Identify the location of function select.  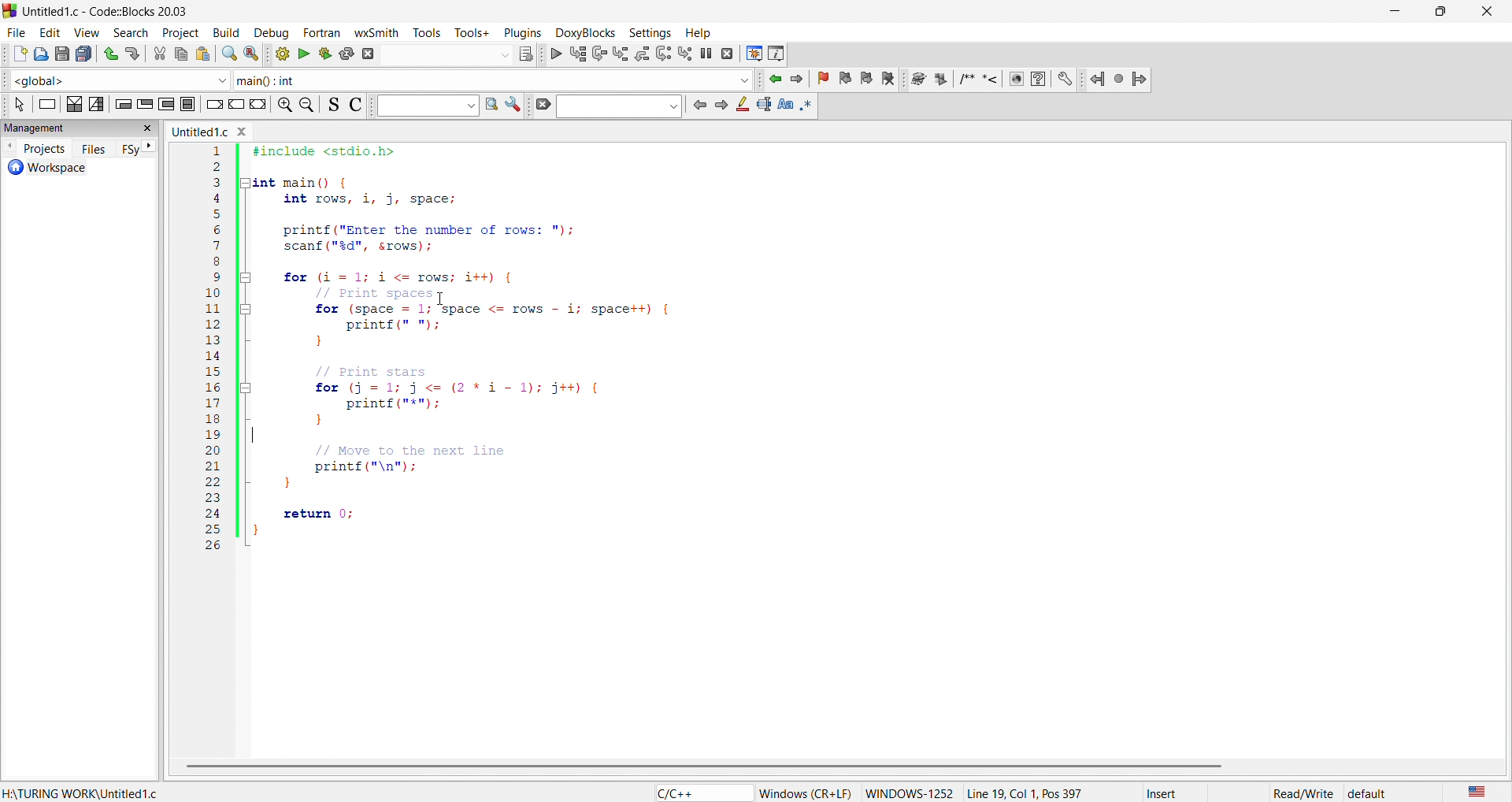
(493, 80).